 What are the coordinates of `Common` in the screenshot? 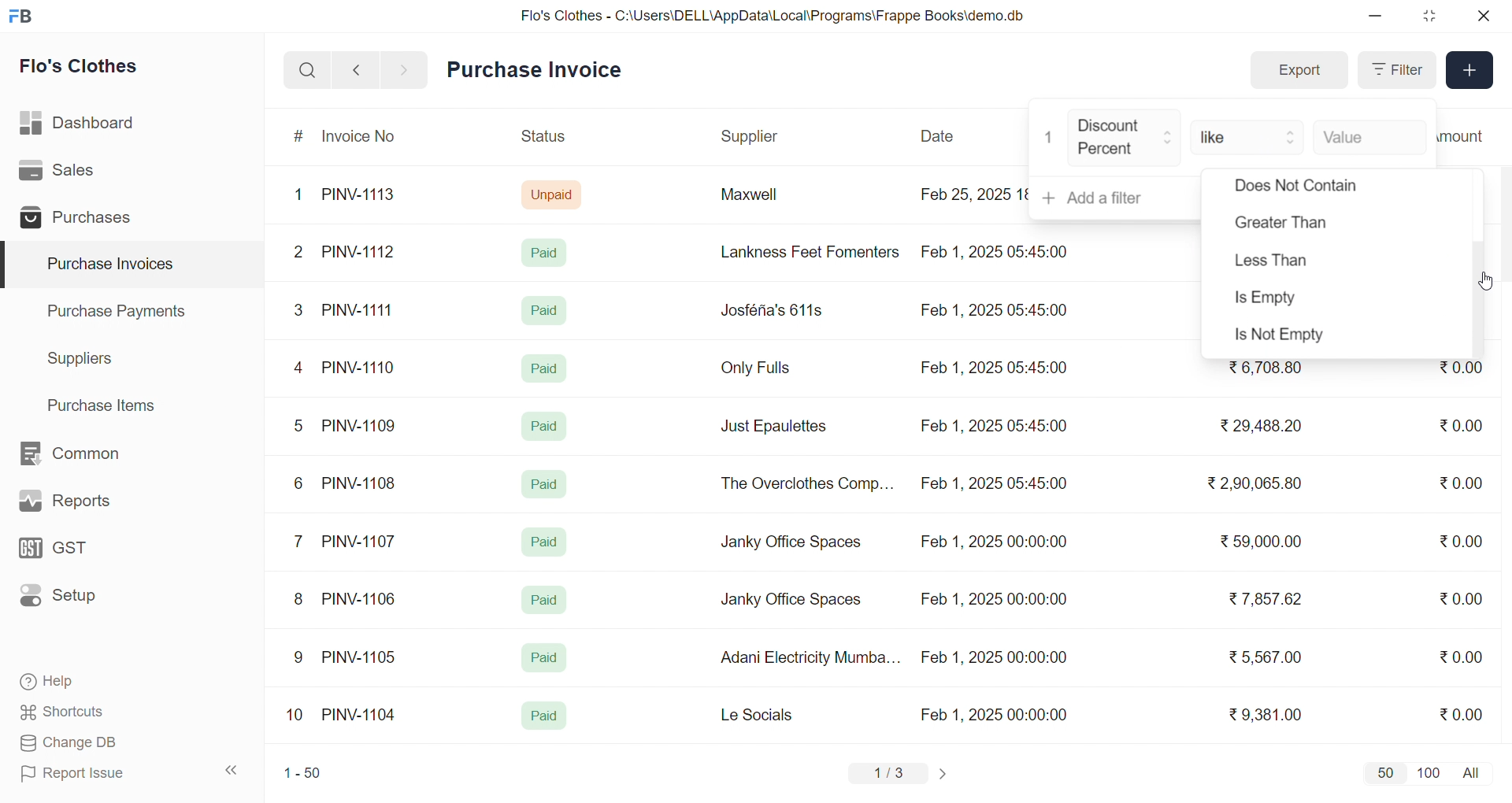 It's located at (87, 454).